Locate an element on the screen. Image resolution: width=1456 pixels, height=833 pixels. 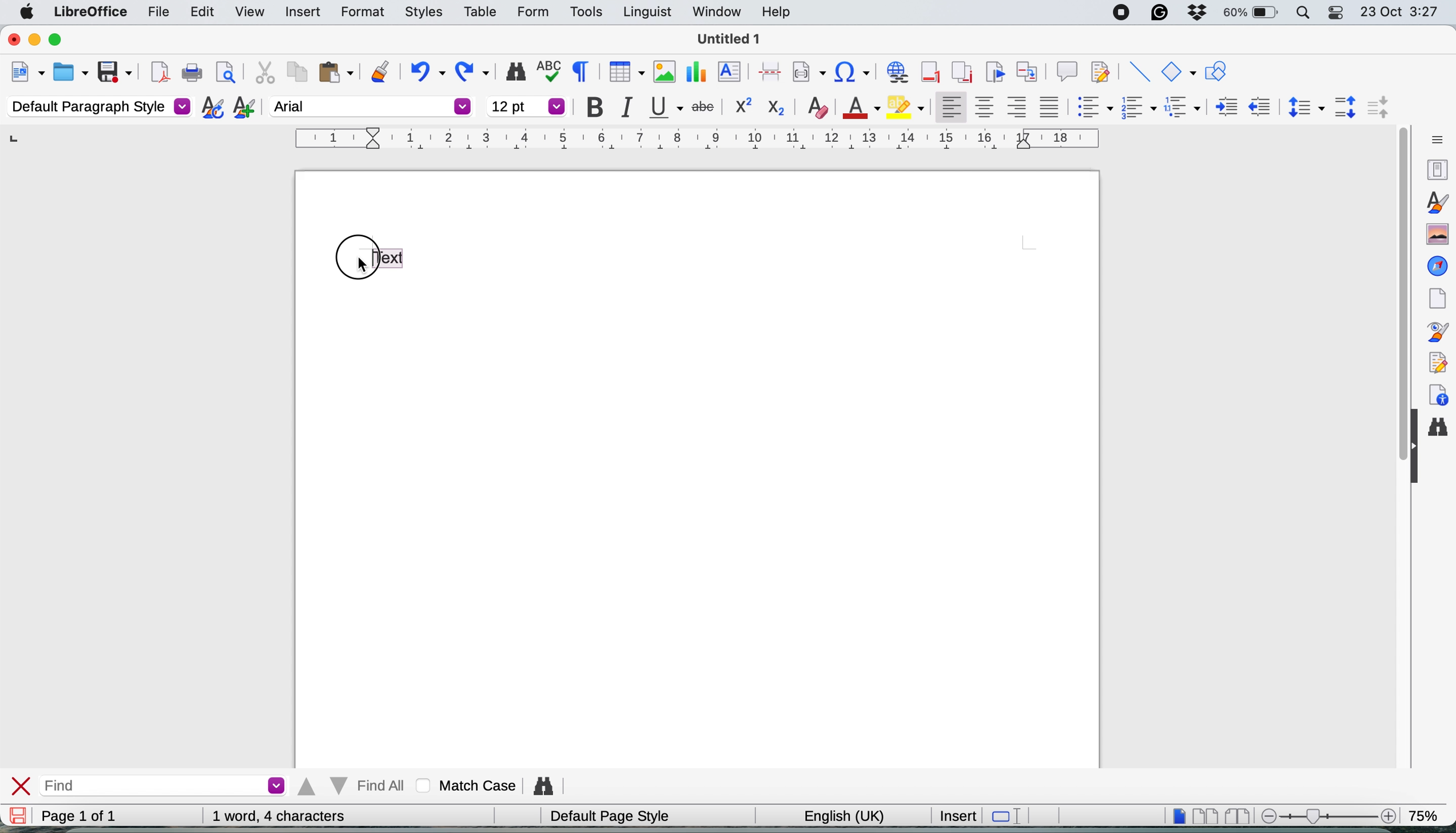
text color is located at coordinates (861, 106).